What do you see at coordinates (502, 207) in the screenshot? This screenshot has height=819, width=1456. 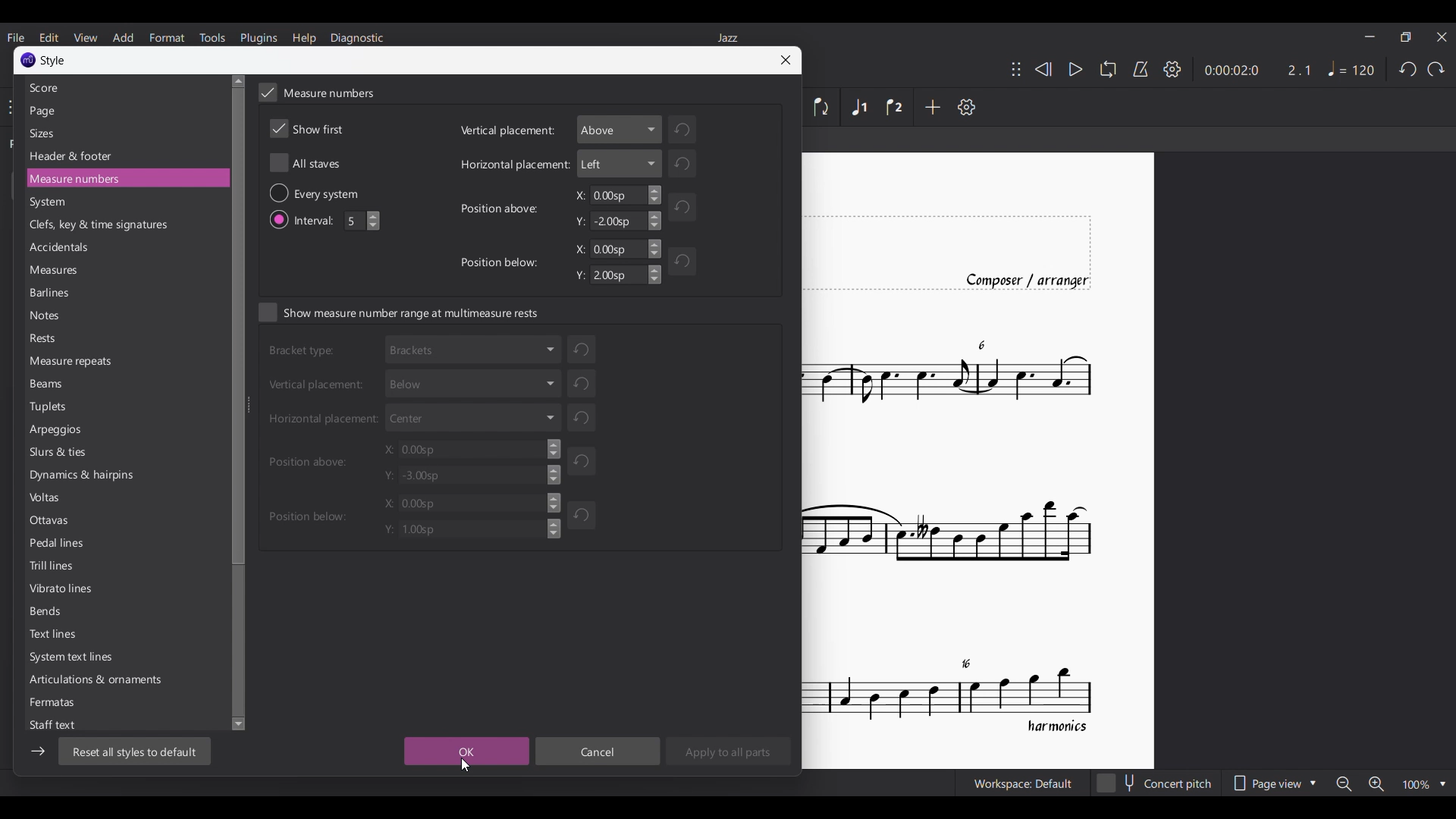 I see `Position above` at bounding box center [502, 207].